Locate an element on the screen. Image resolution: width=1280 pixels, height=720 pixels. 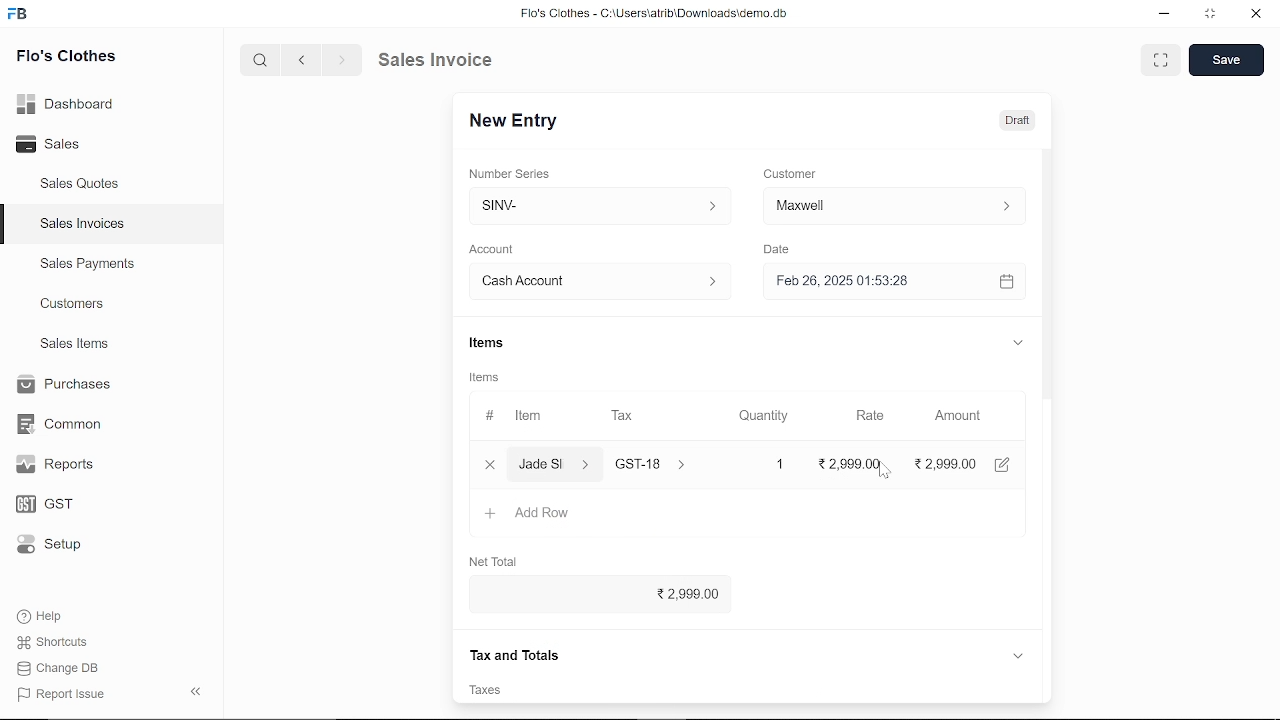
close is located at coordinates (488, 463).